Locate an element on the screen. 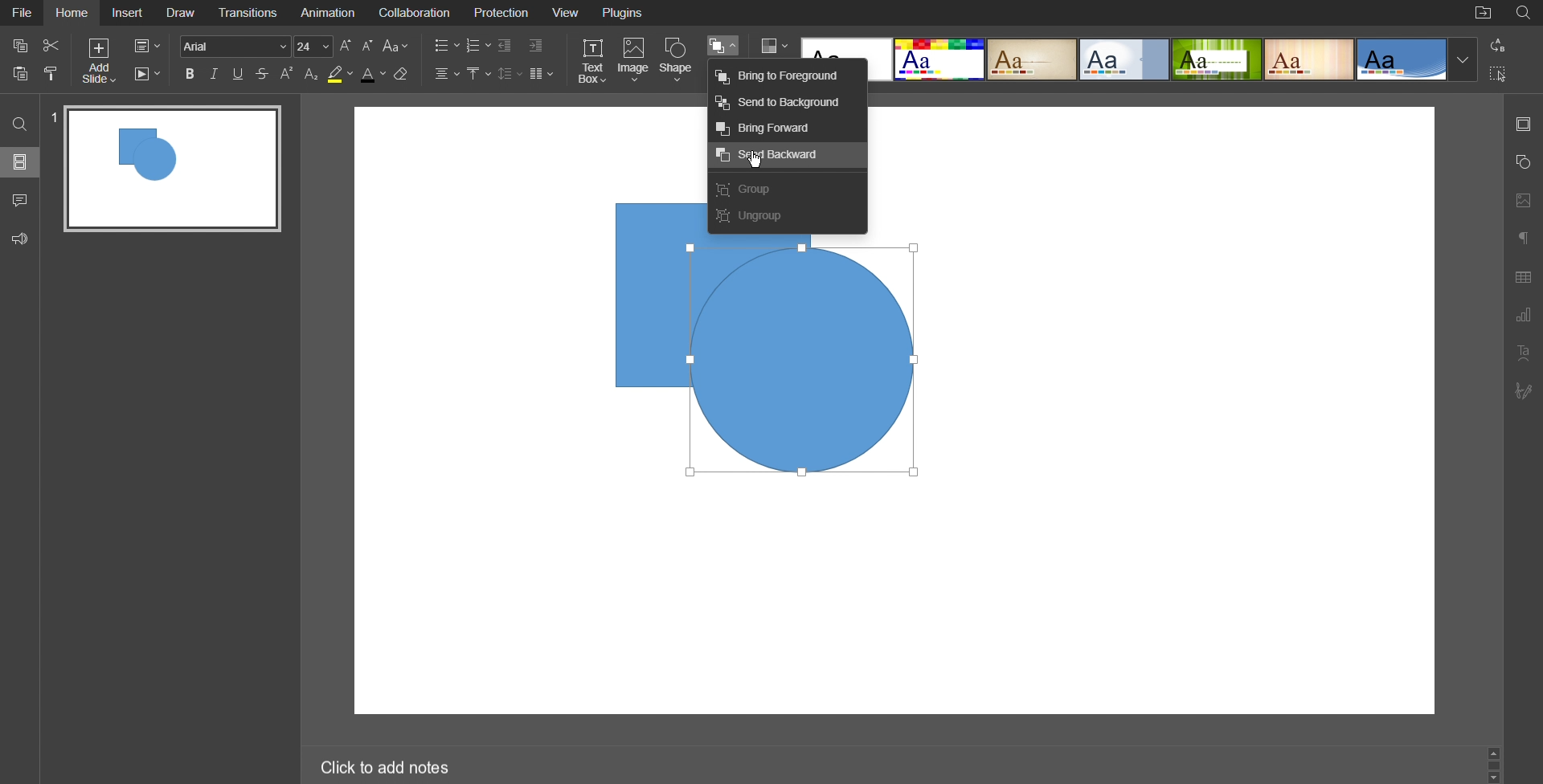 The width and height of the screenshot is (1543, 784). Image Settings is located at coordinates (1524, 200).